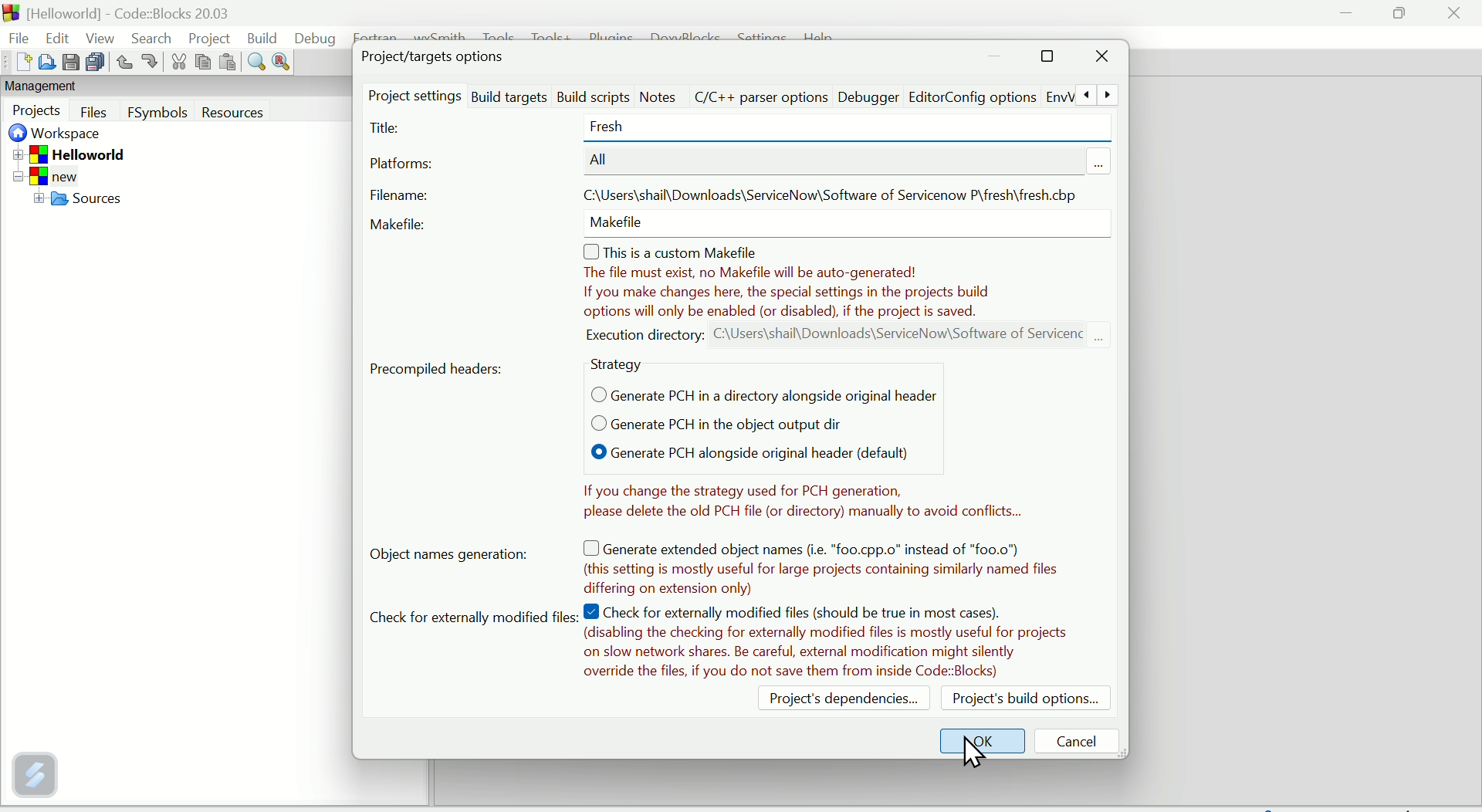 The height and width of the screenshot is (812, 1482). Describe the element at coordinates (149, 61) in the screenshot. I see `` at that location.